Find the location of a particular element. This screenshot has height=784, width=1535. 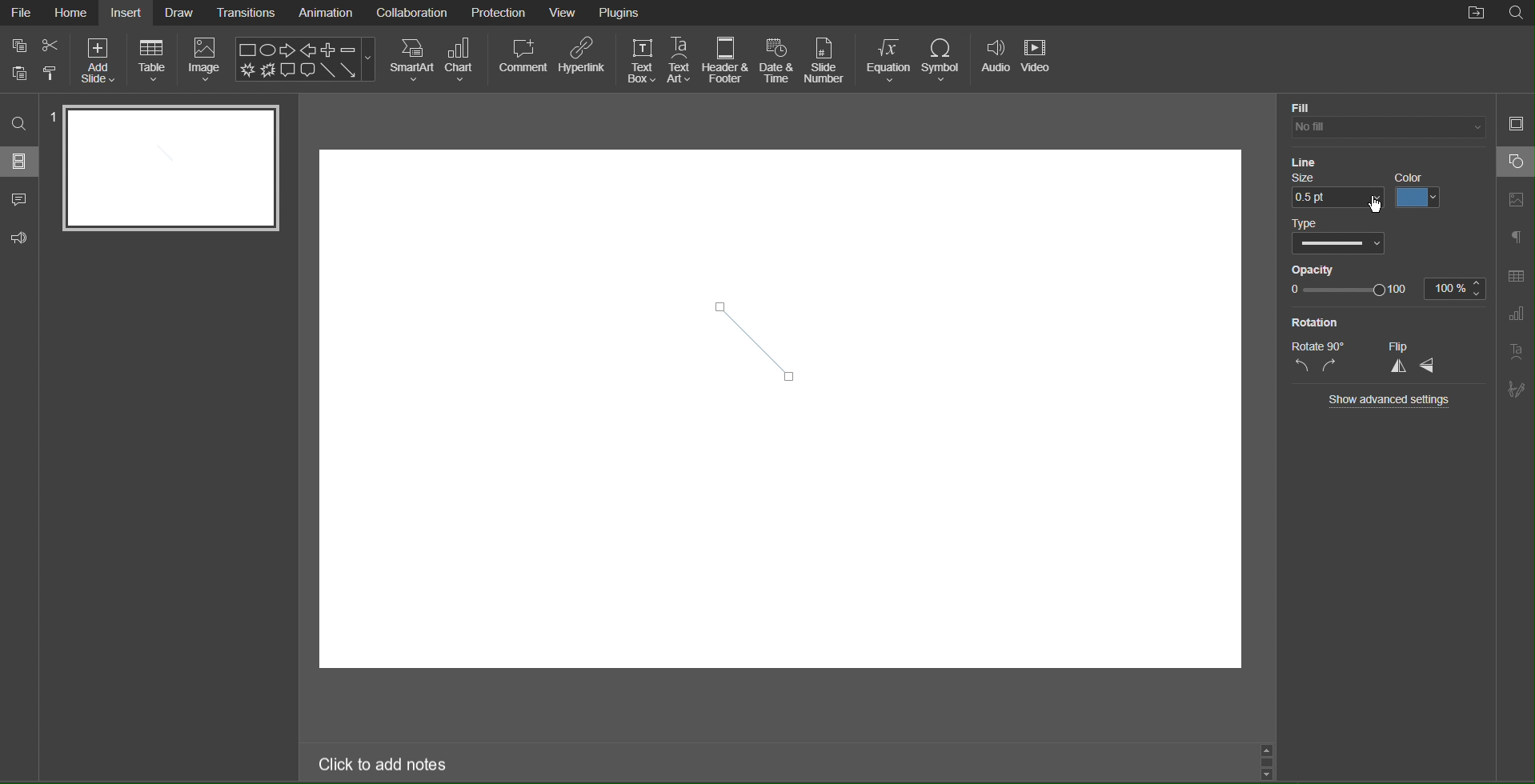

Type line is located at coordinates (1344, 244).